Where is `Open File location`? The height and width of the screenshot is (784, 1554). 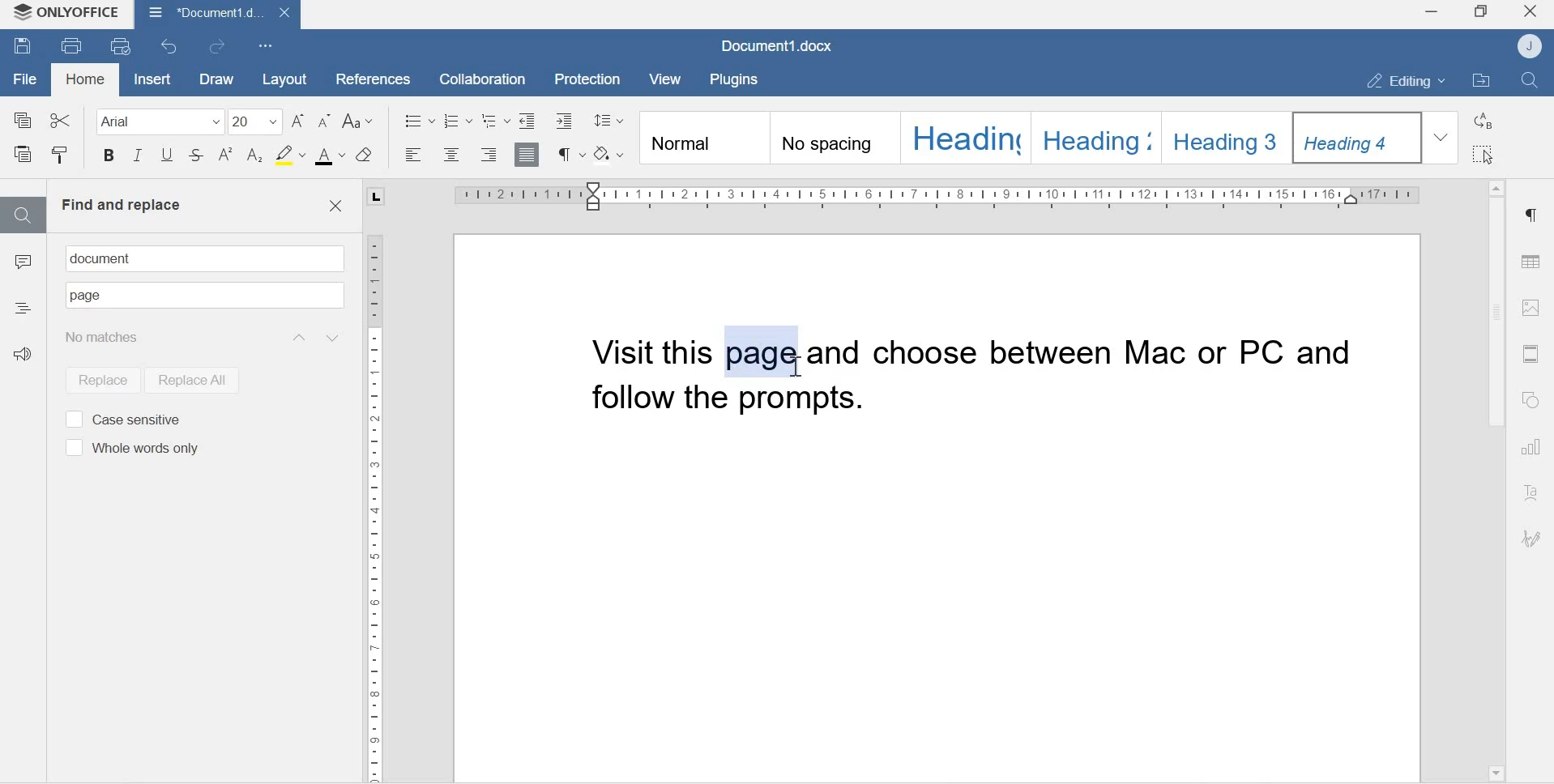 Open File location is located at coordinates (1481, 82).